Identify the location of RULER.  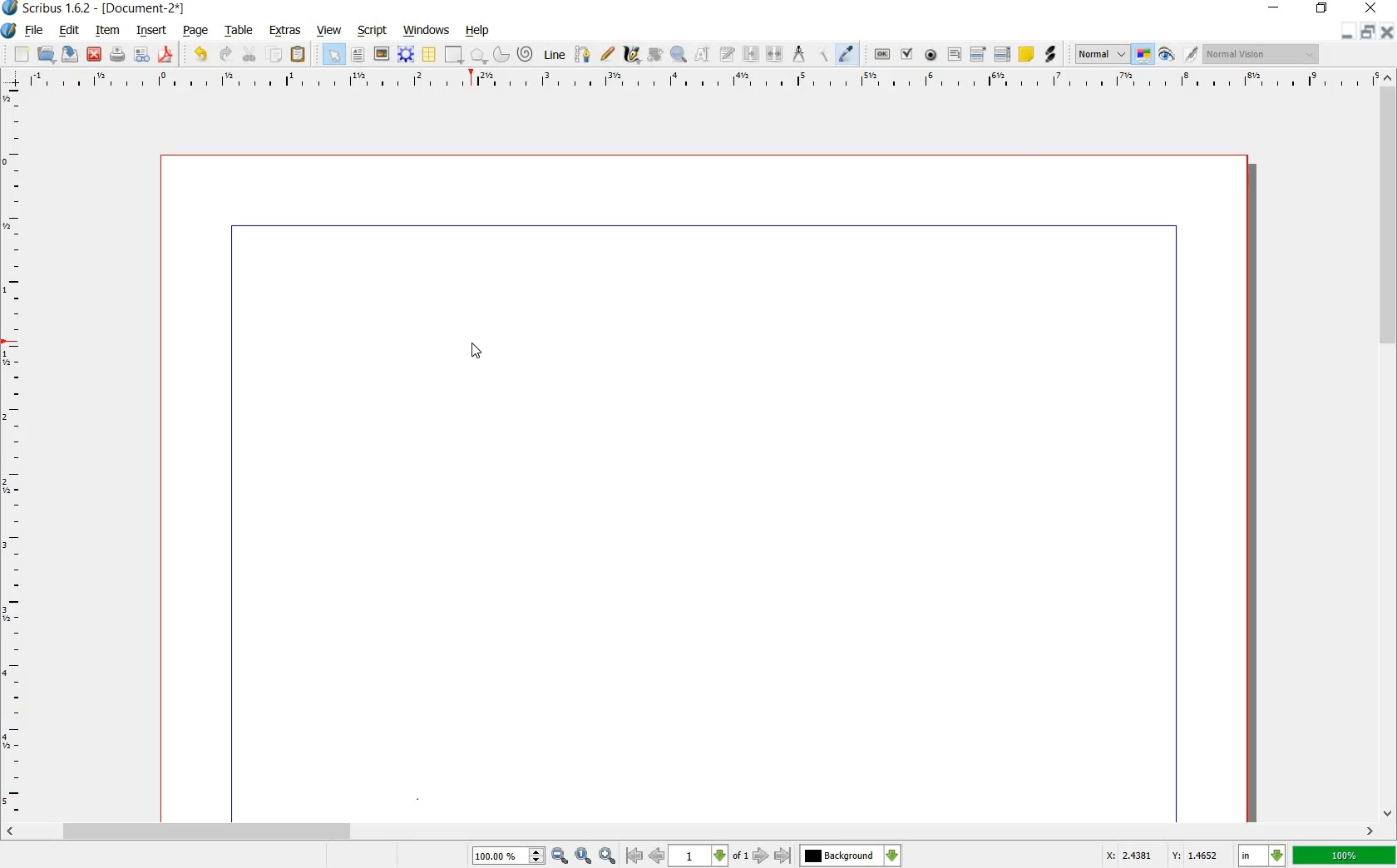
(14, 452).